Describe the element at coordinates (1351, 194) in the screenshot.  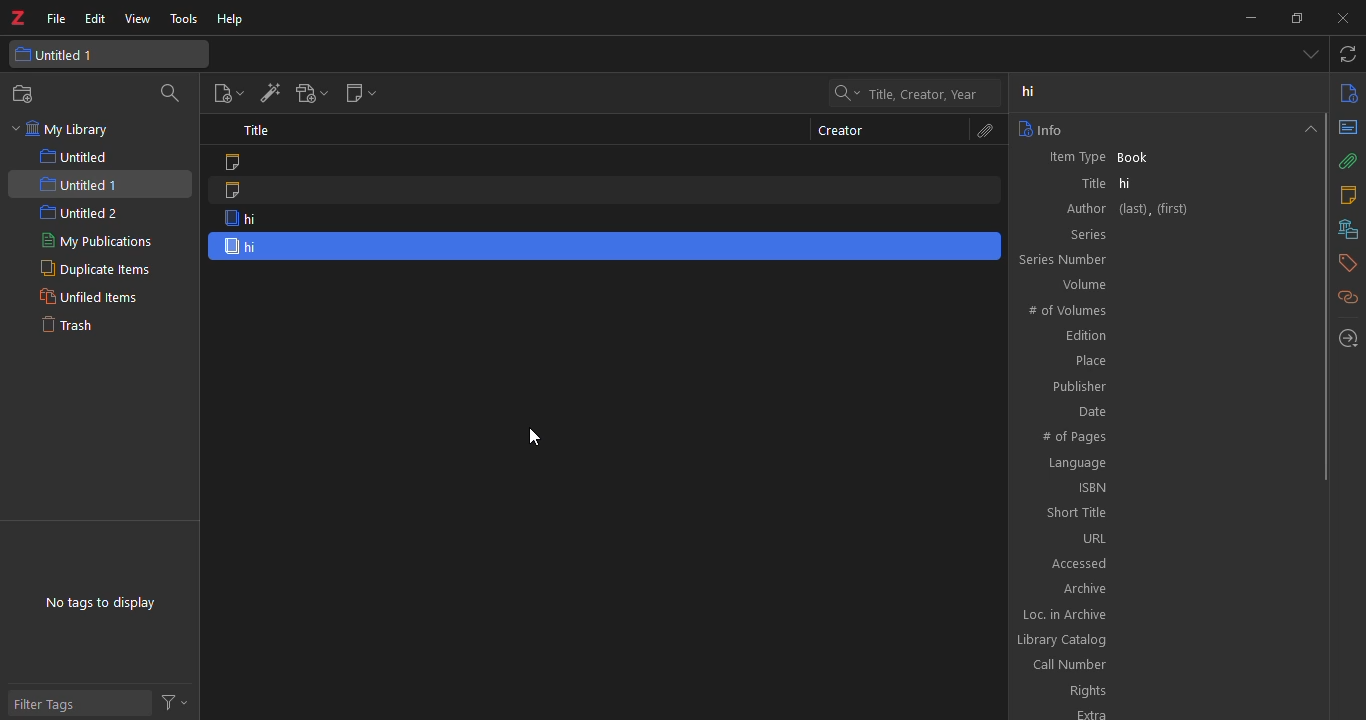
I see `notes` at that location.